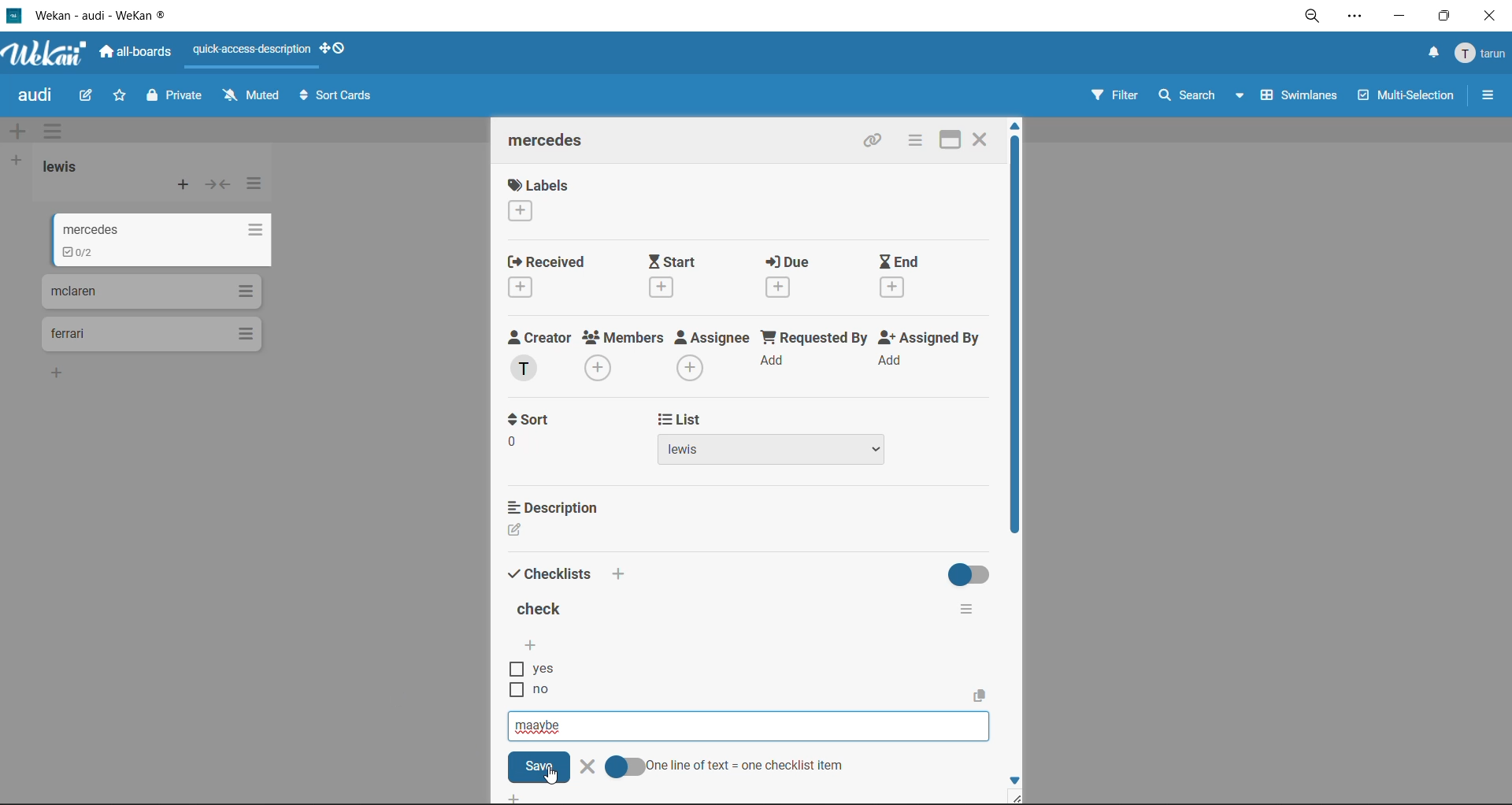 This screenshot has height=805, width=1512. I want to click on ferari, so click(69, 335).